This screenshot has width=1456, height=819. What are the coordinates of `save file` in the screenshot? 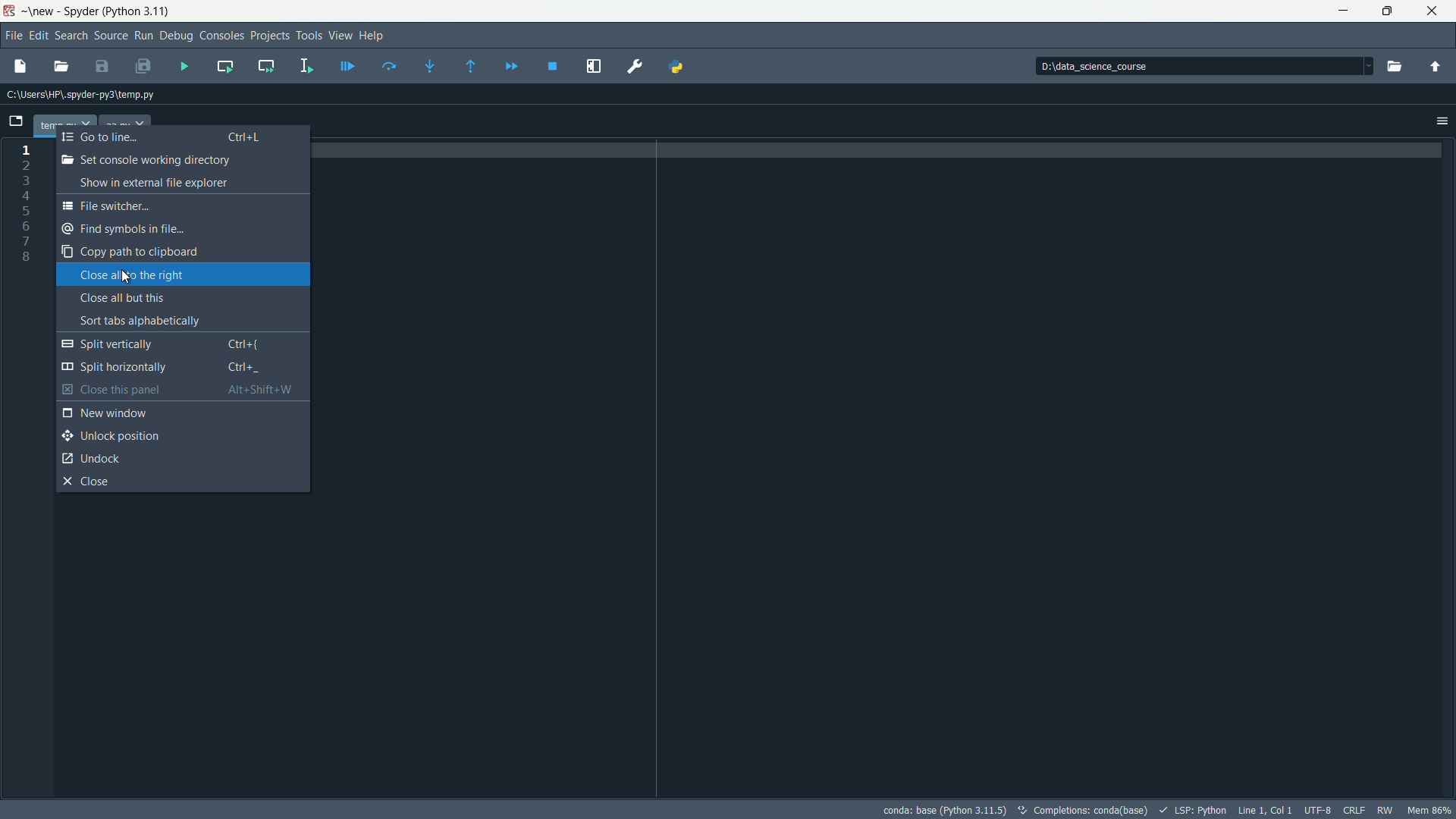 It's located at (102, 66).